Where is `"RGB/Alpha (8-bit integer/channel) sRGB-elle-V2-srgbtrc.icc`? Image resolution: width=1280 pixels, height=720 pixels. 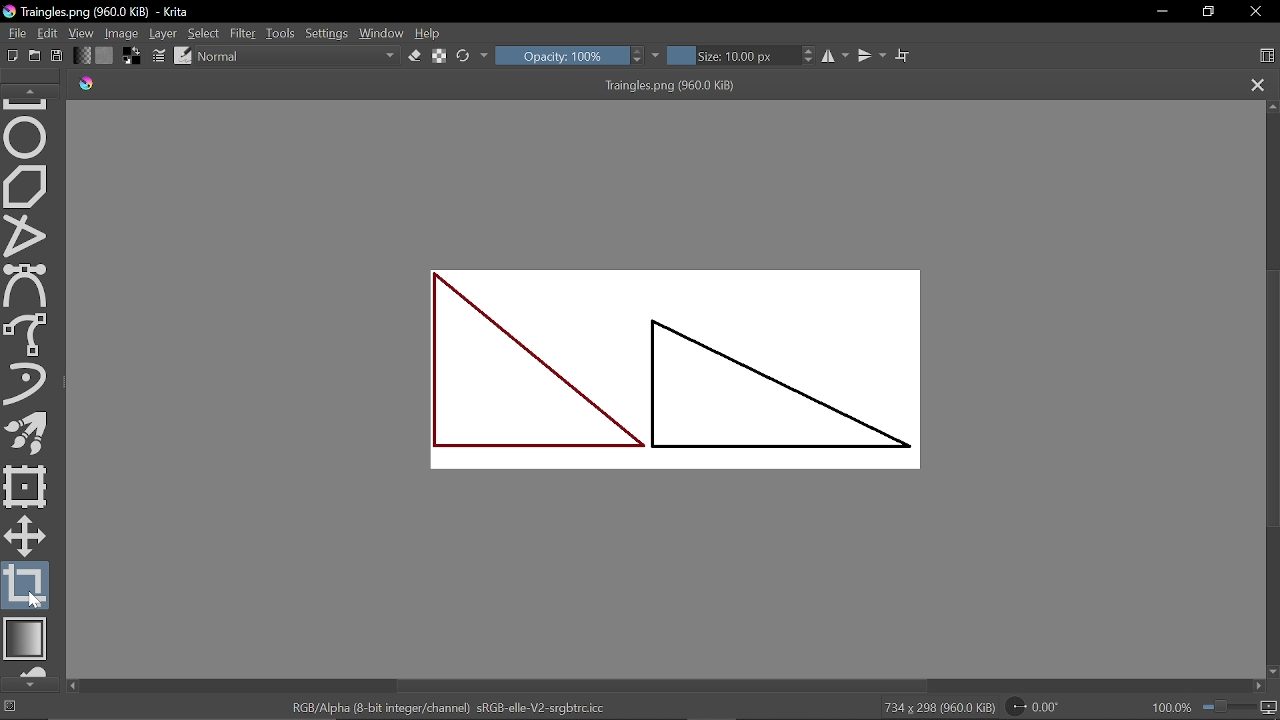 "RGB/Alpha (8-bit integer/channel) sRGB-elle-V2-srgbtrc.icc is located at coordinates (448, 707).